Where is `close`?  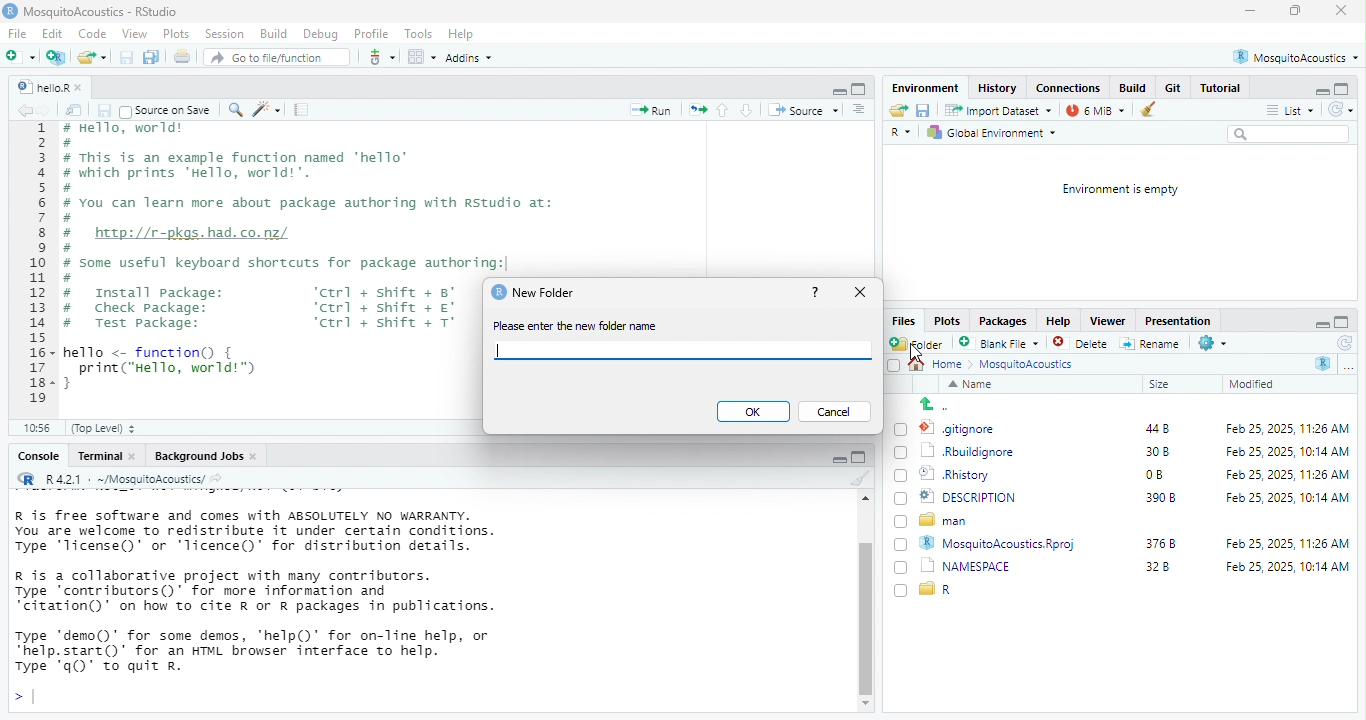
close is located at coordinates (1338, 11).